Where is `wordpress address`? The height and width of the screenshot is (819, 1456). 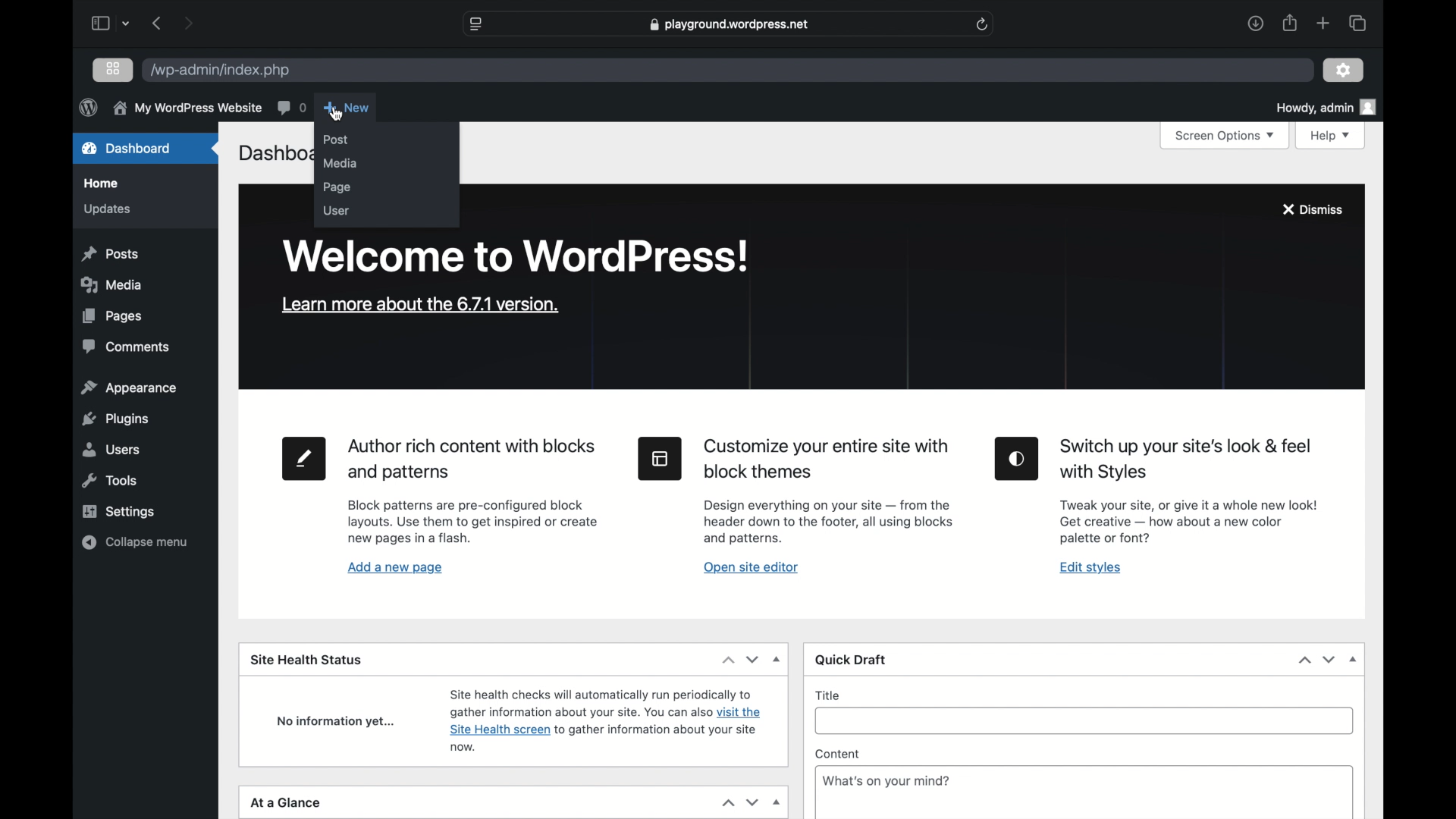 wordpress address is located at coordinates (219, 71).